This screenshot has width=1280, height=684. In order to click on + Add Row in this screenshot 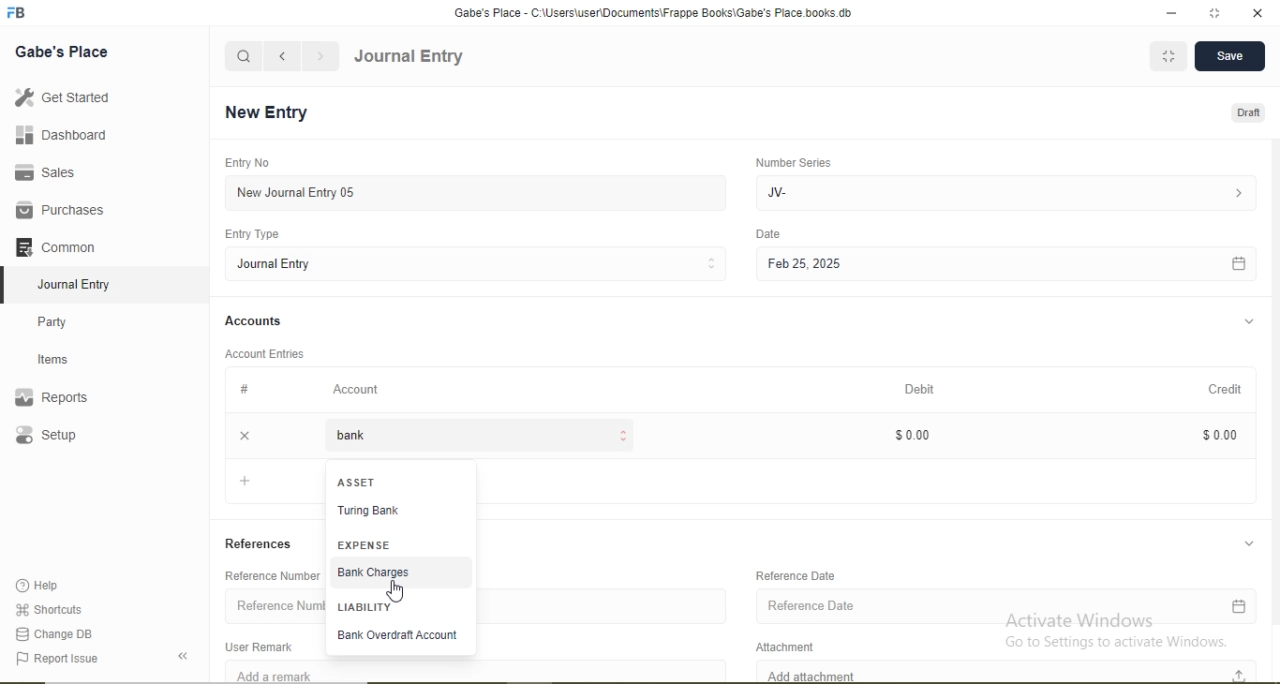, I will do `click(270, 484)`.